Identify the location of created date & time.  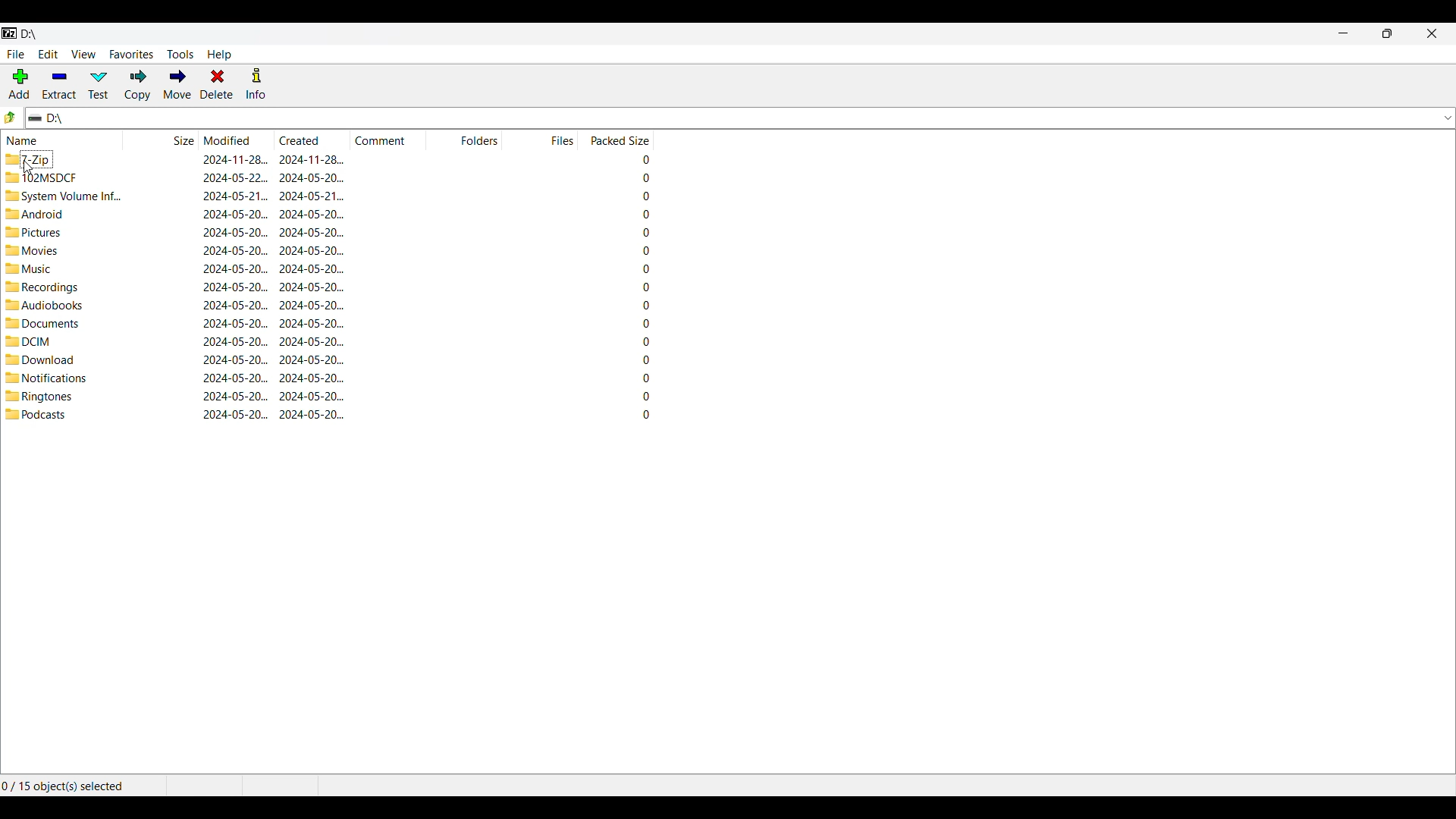
(311, 305).